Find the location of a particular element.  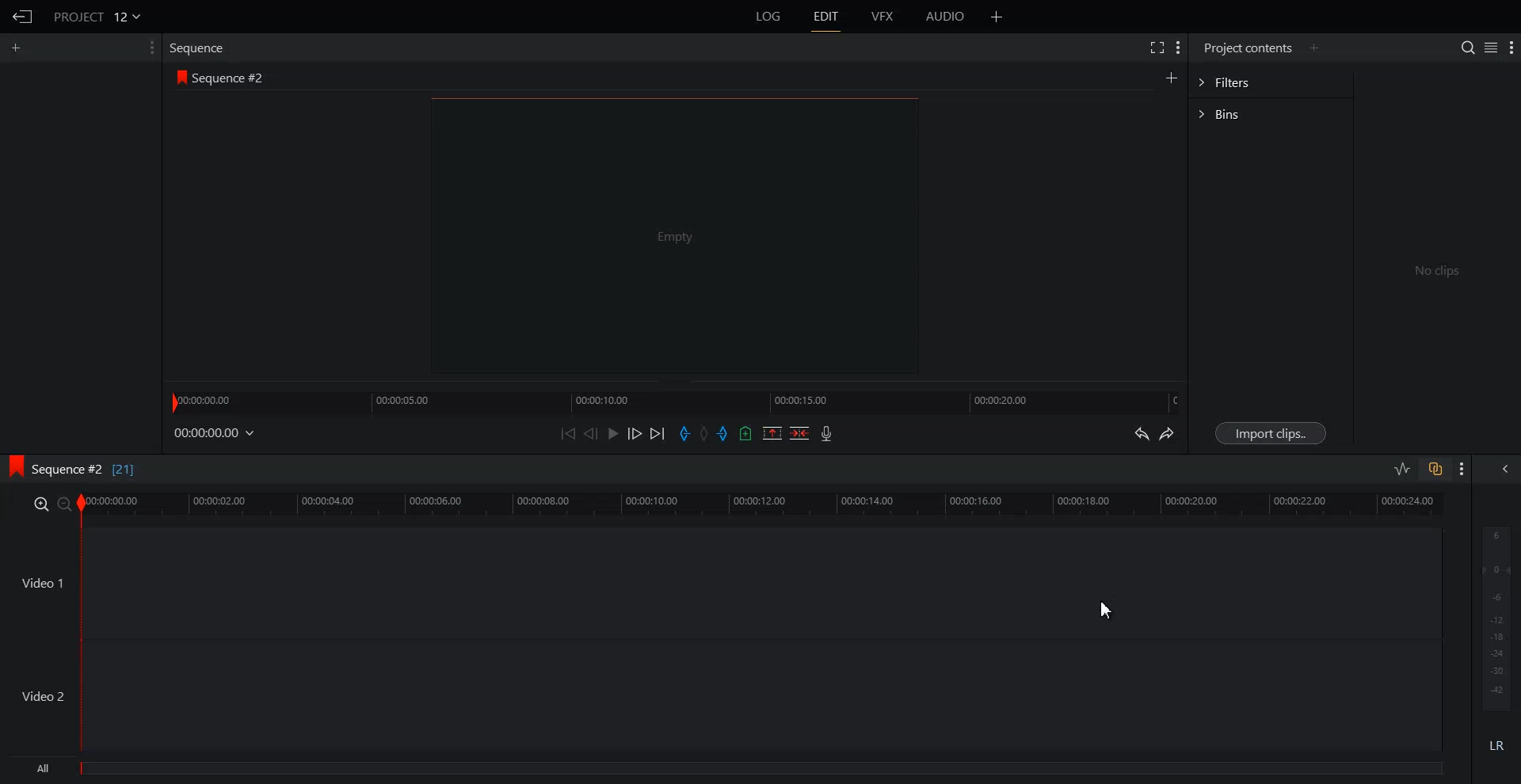

Video 1 is located at coordinates (728, 583).